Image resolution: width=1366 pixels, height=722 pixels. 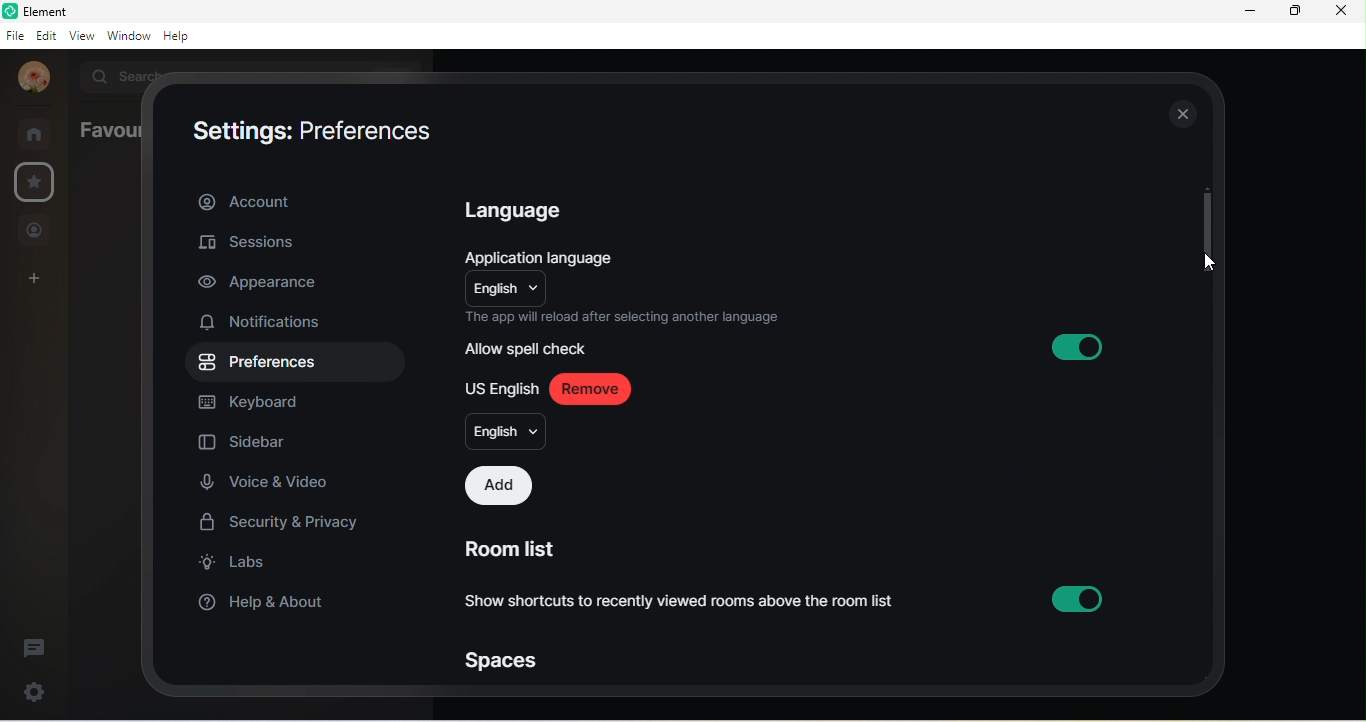 What do you see at coordinates (686, 603) in the screenshot?
I see `show shortcuts to recently viewed rooms above the room list` at bounding box center [686, 603].